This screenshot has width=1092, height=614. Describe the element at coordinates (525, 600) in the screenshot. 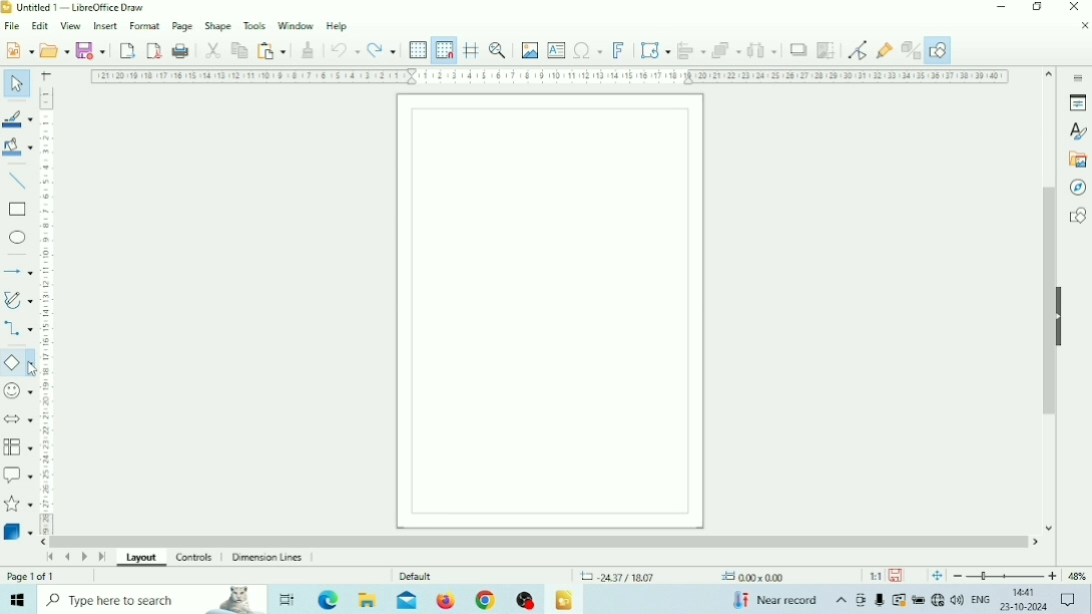

I see `OBS Studio` at that location.